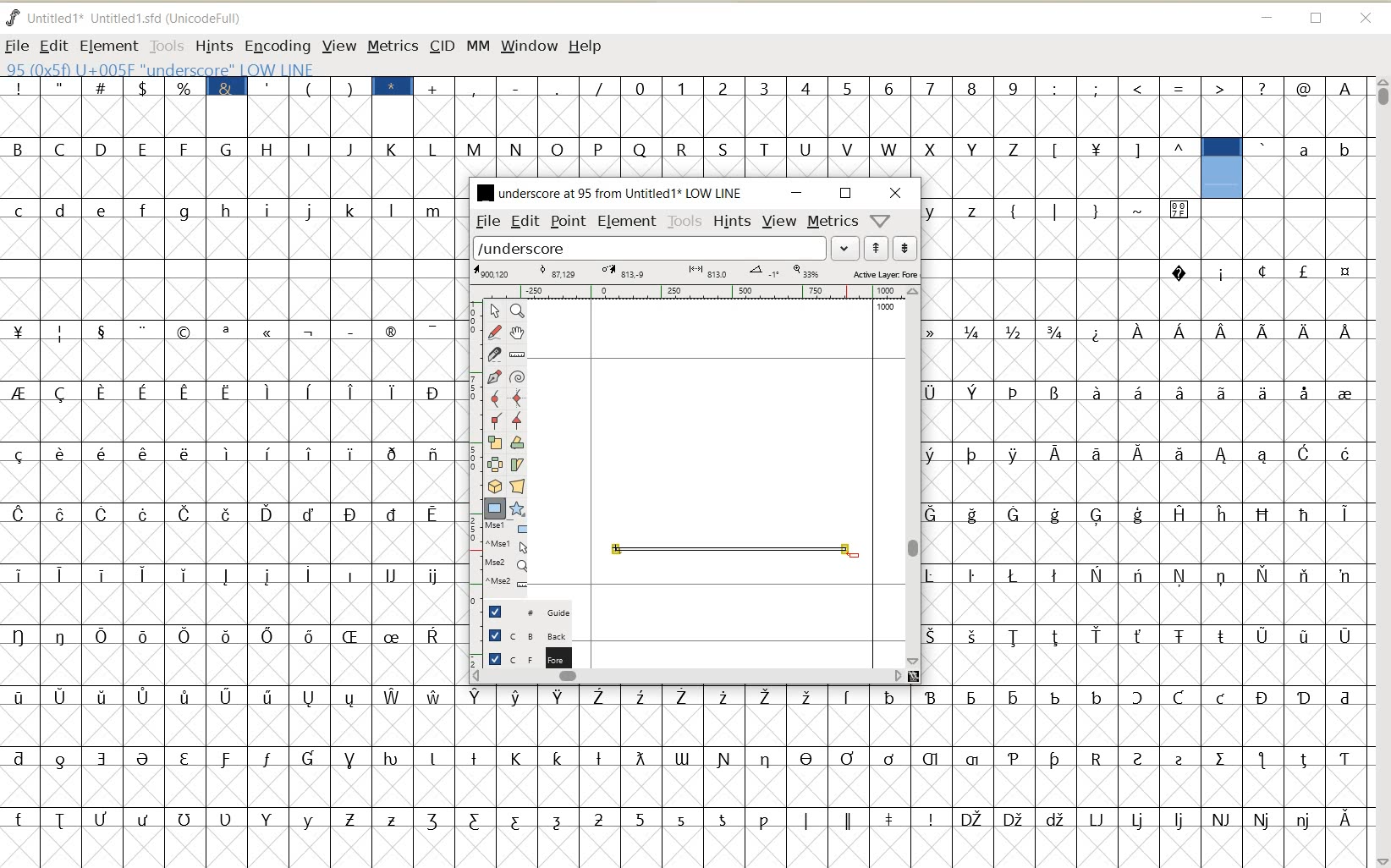 Image resolution: width=1391 pixels, height=868 pixels. What do you see at coordinates (496, 508) in the screenshot?
I see `rectangle or ellipse` at bounding box center [496, 508].